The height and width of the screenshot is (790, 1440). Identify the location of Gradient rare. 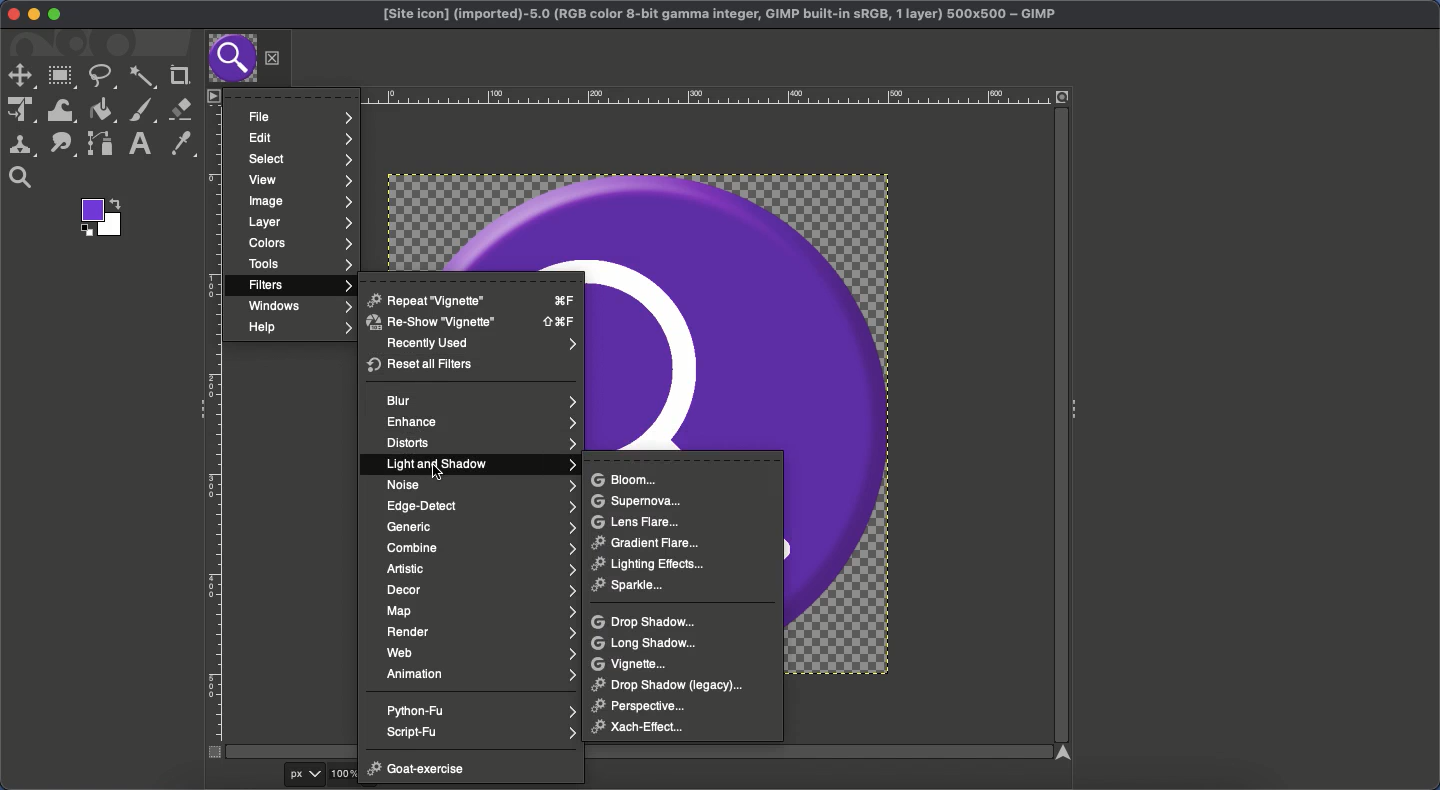
(647, 541).